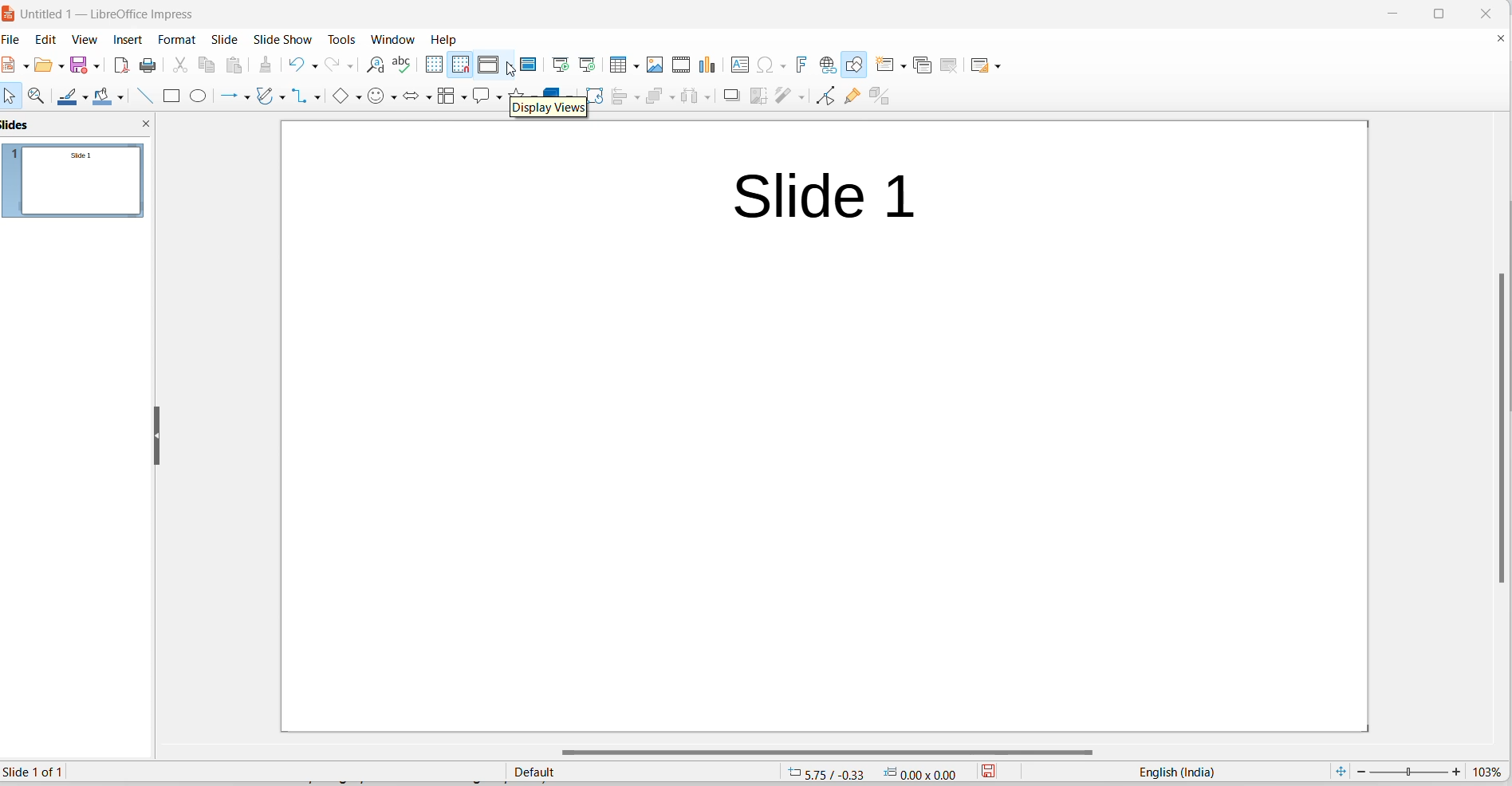  What do you see at coordinates (175, 96) in the screenshot?
I see `rectangle` at bounding box center [175, 96].